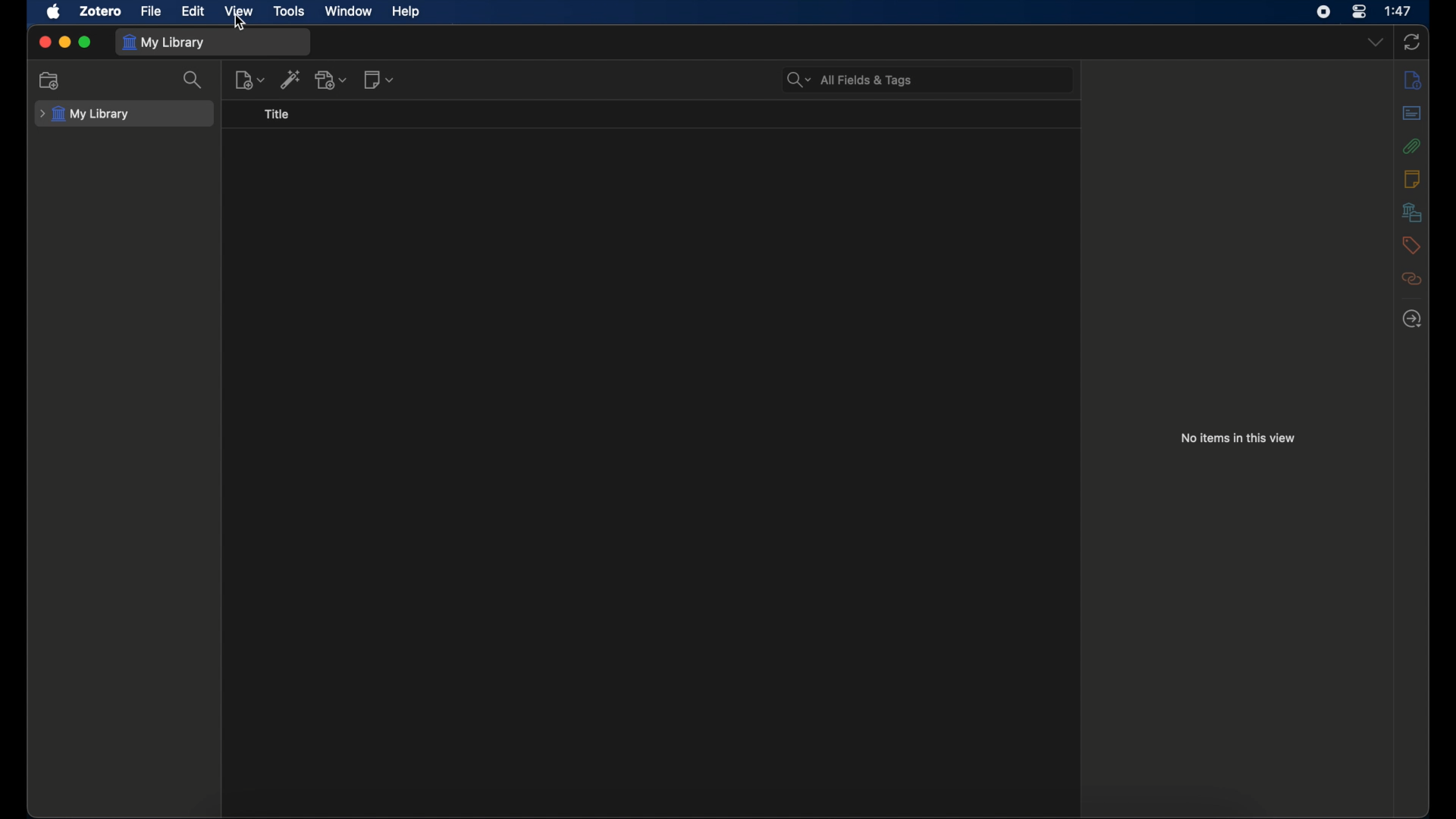 This screenshot has height=819, width=1456. Describe the element at coordinates (1414, 80) in the screenshot. I see `info` at that location.